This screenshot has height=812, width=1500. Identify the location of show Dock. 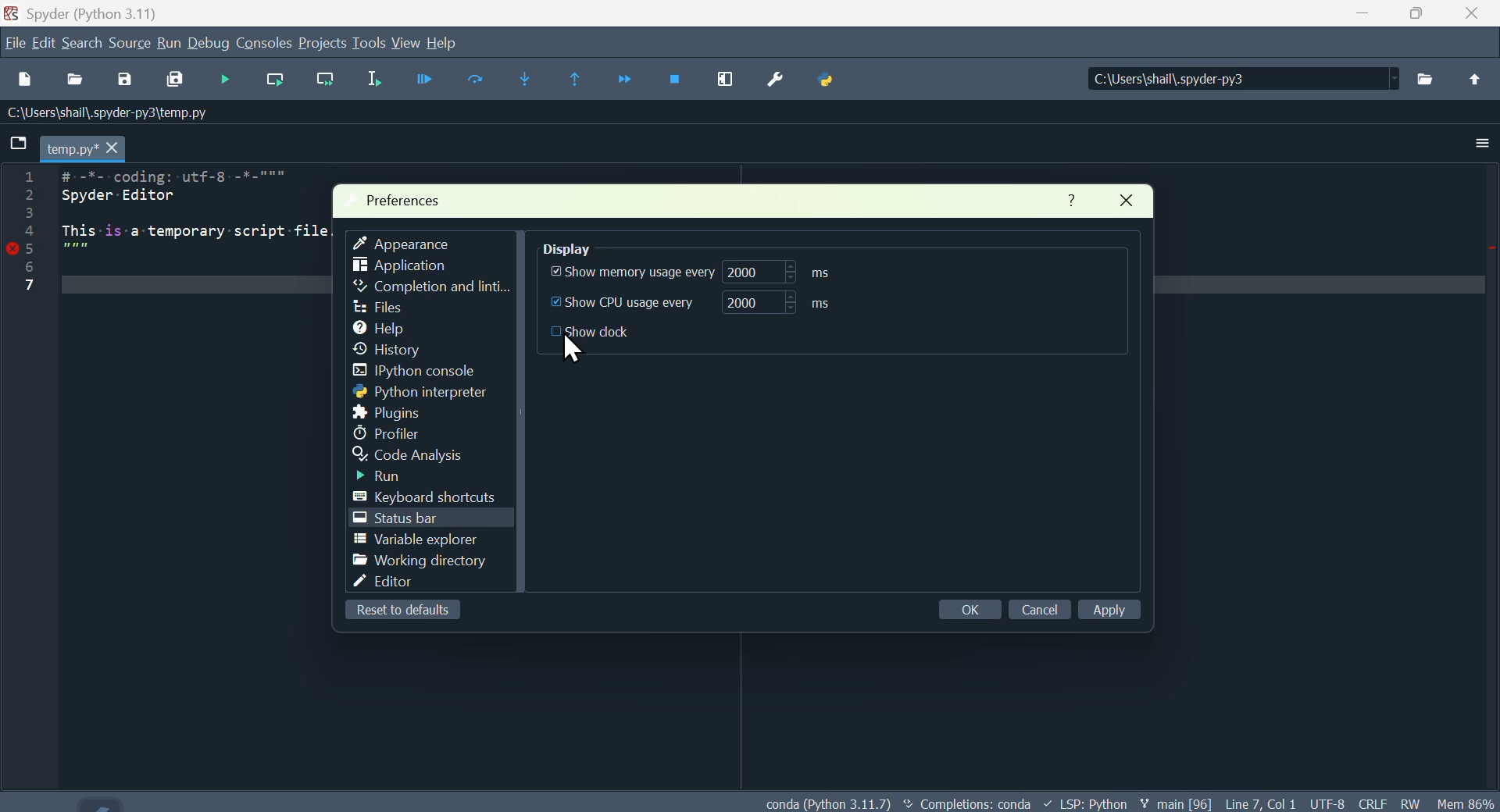
(609, 336).